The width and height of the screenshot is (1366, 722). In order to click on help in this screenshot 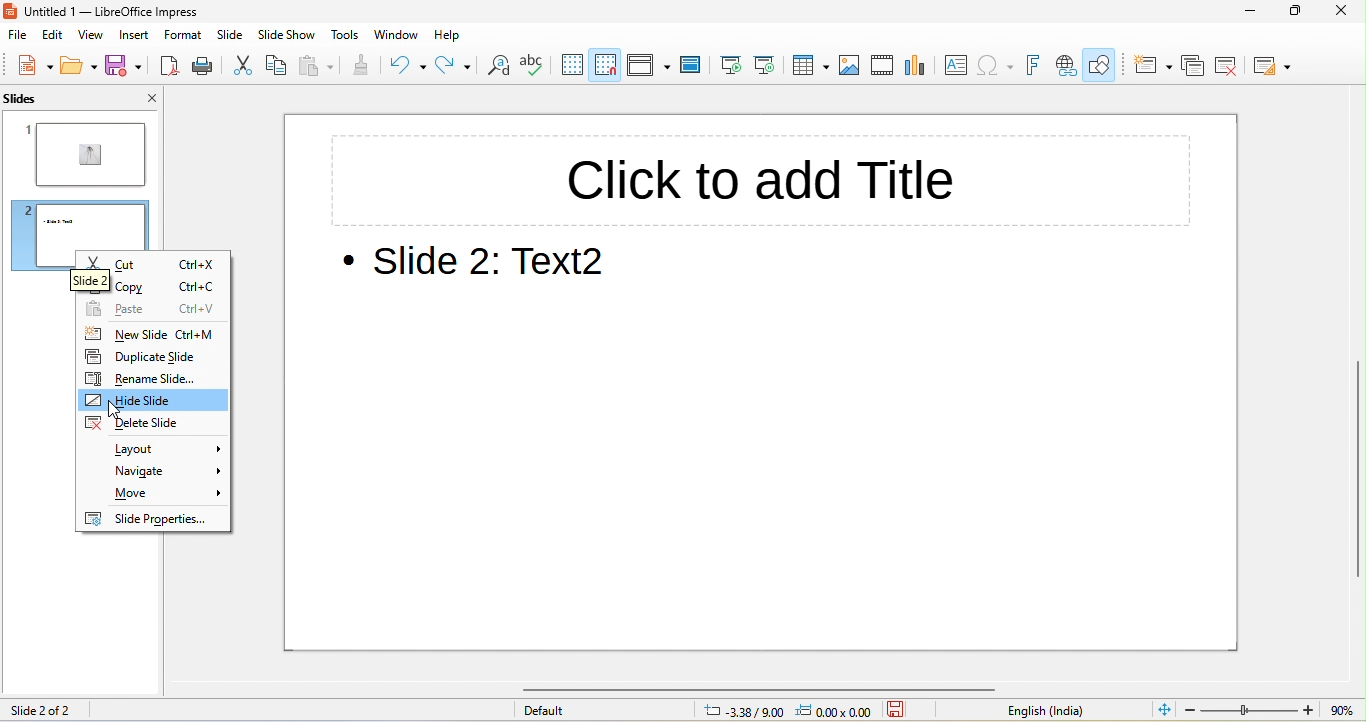, I will do `click(443, 34)`.